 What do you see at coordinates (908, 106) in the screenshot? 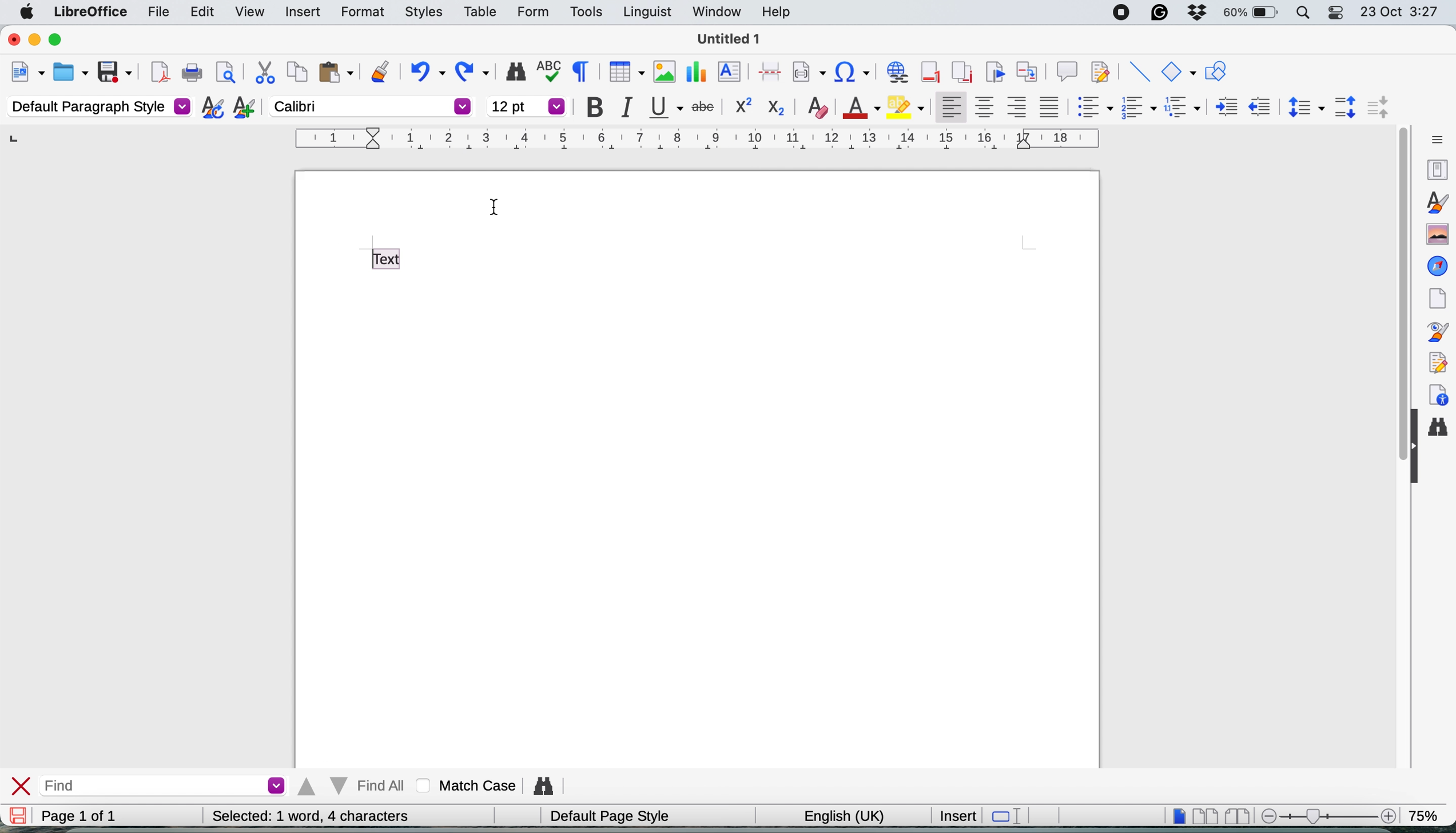
I see `fill color` at bounding box center [908, 106].